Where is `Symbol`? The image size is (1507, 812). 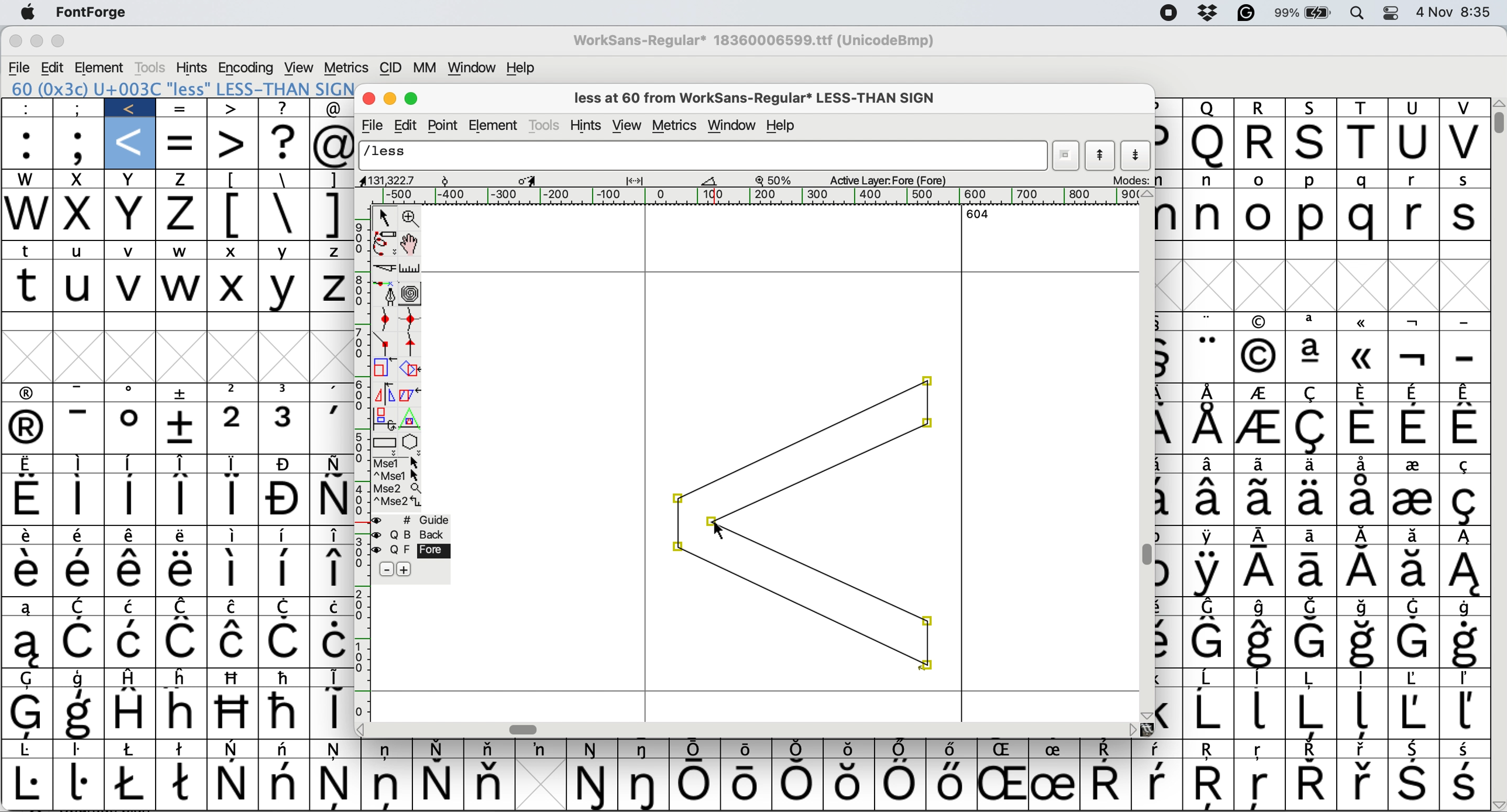 Symbol is located at coordinates (1411, 714).